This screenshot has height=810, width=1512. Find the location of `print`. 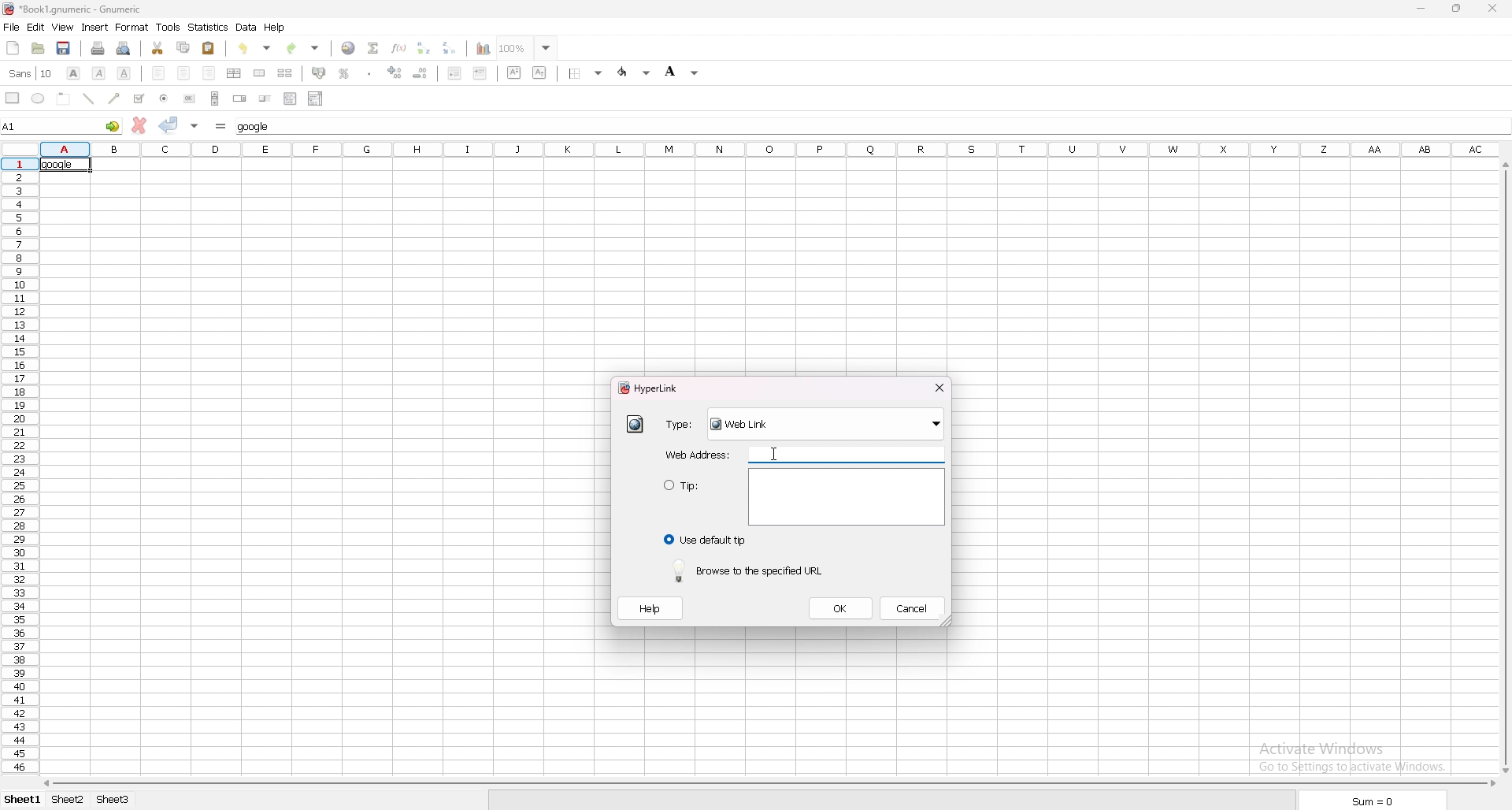

print is located at coordinates (98, 48).